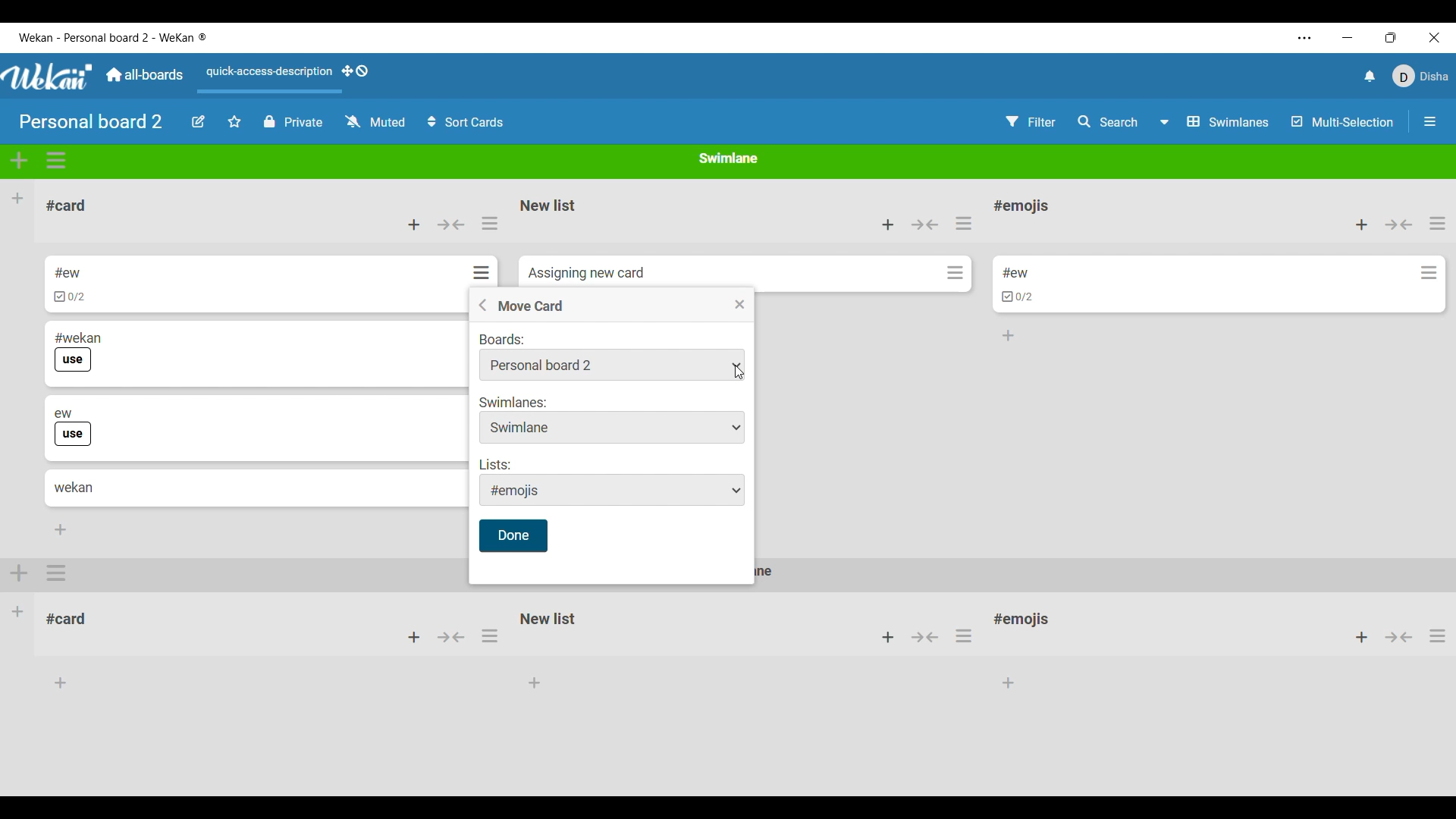  What do you see at coordinates (502, 340) in the screenshot?
I see `Indicates board options` at bounding box center [502, 340].